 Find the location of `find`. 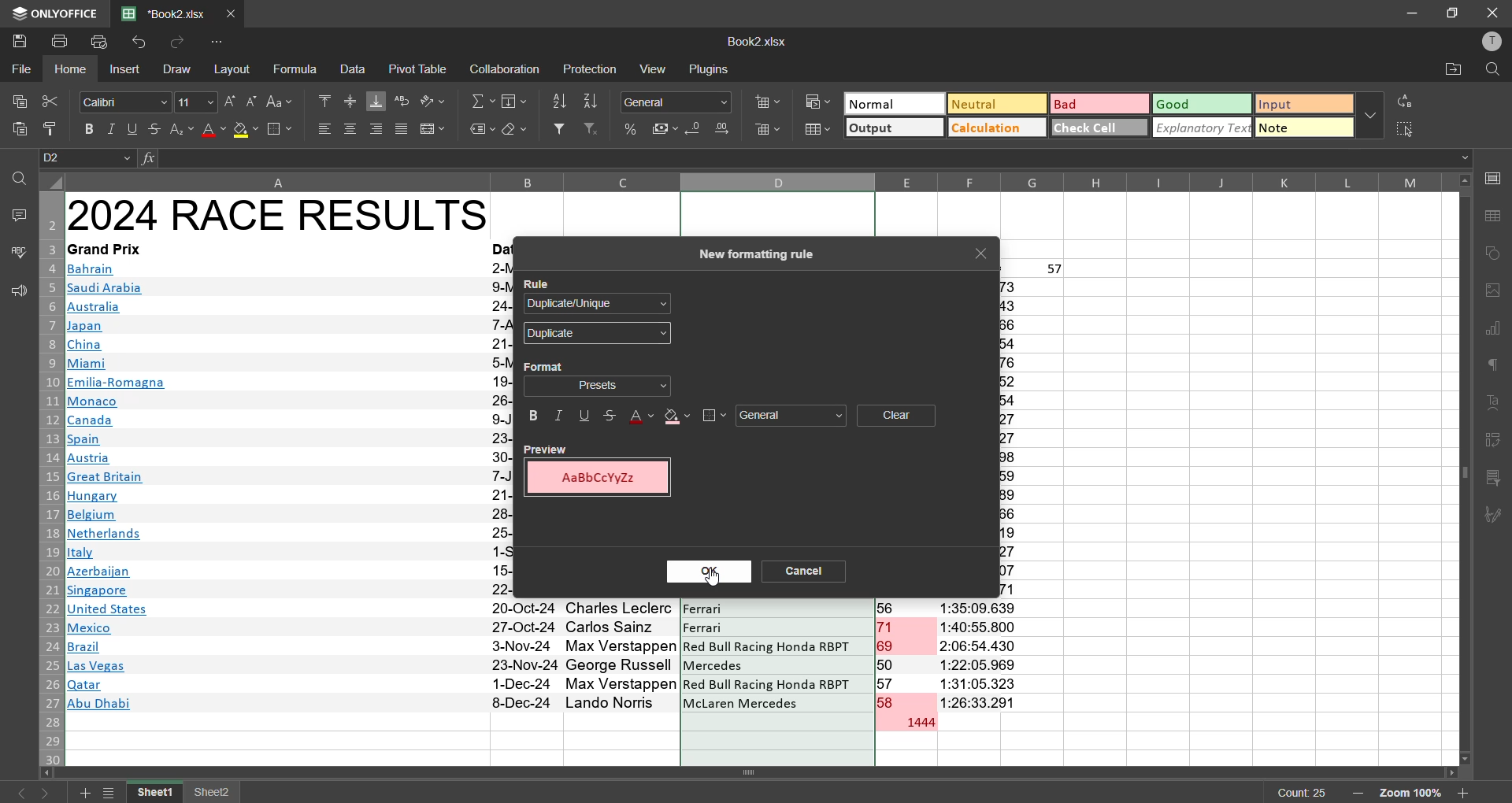

find is located at coordinates (1492, 70).